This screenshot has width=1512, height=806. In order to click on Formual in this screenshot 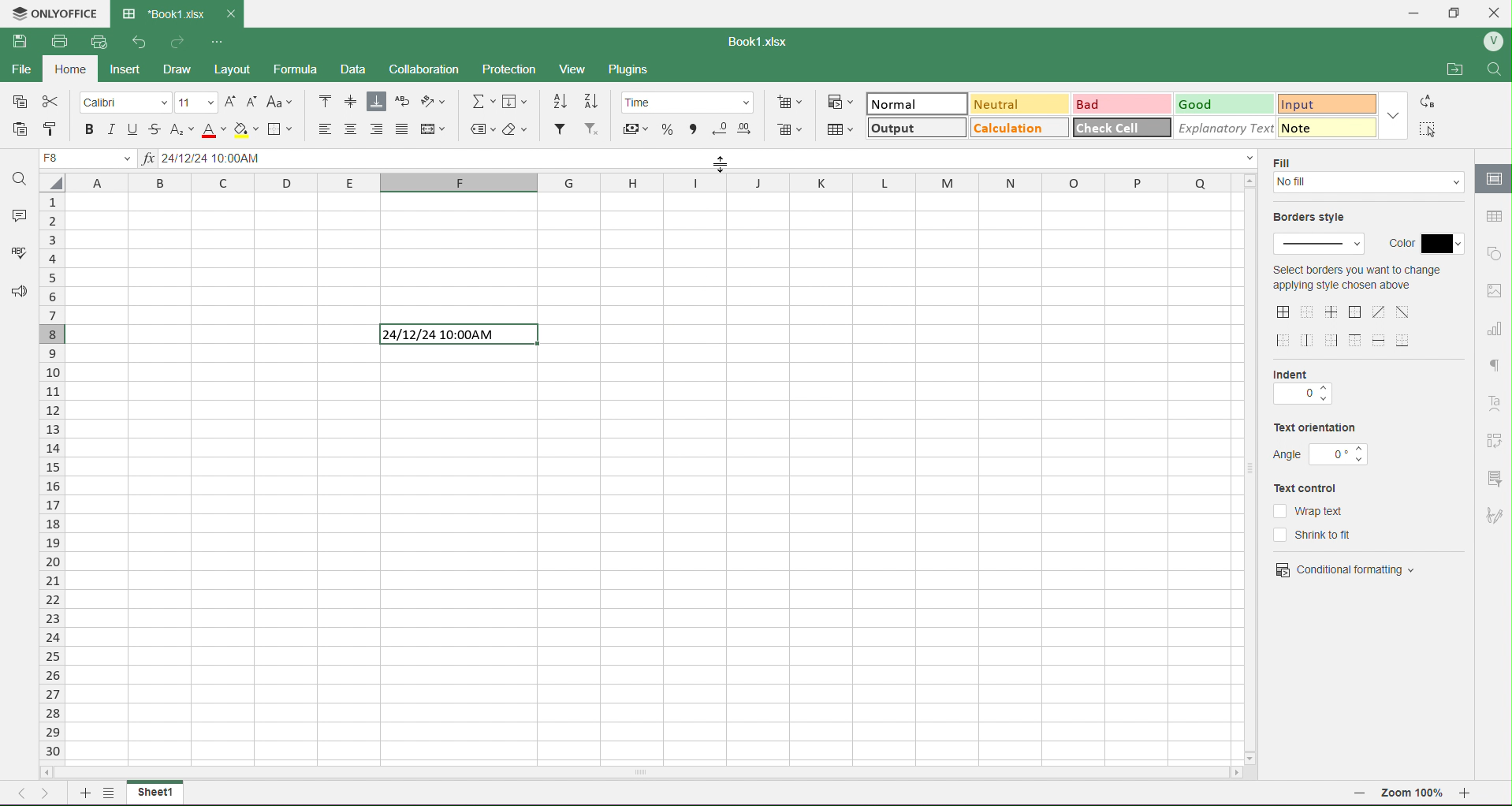, I will do `click(307, 69)`.